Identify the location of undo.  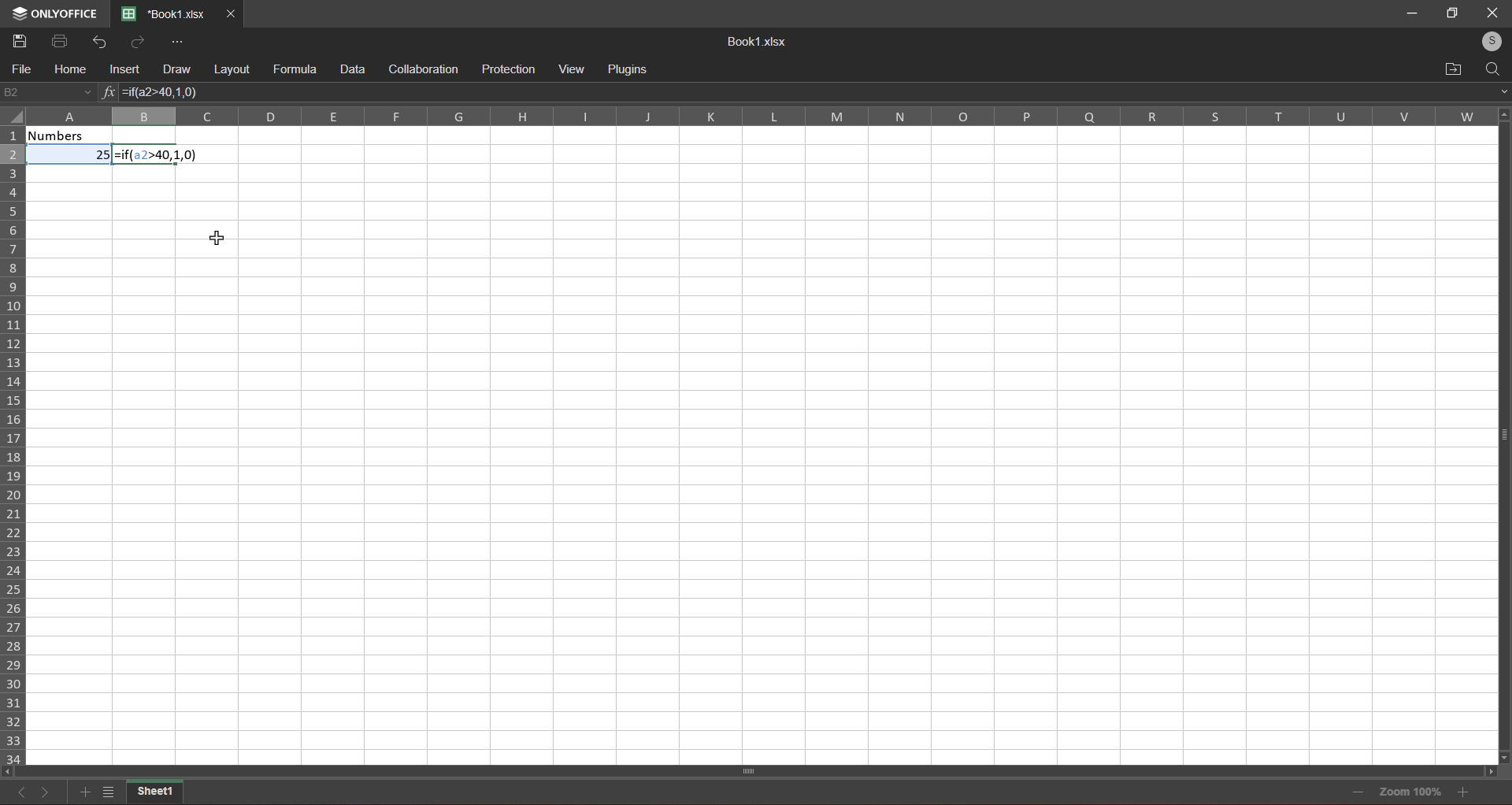
(95, 40).